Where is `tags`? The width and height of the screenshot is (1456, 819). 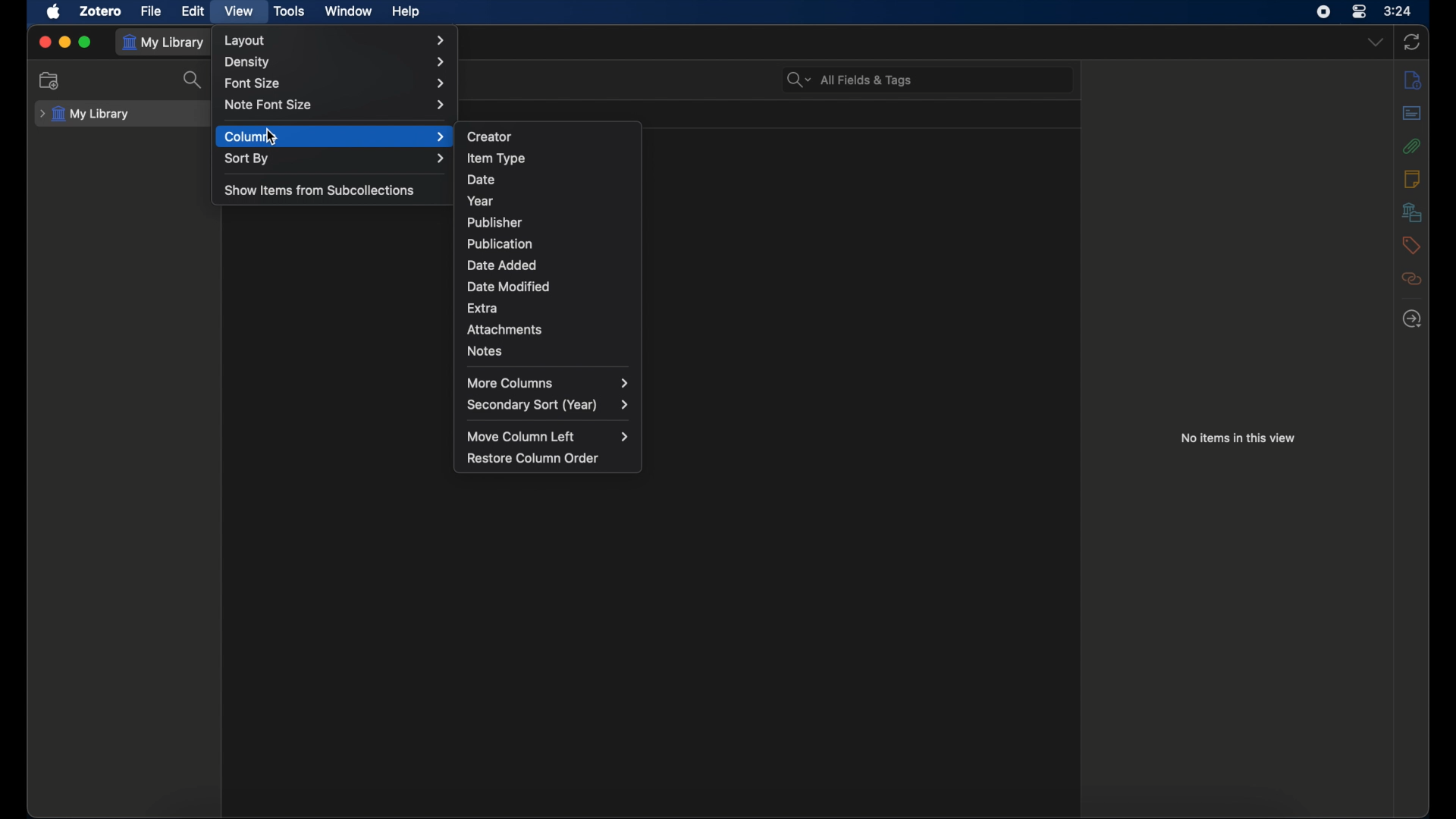 tags is located at coordinates (1410, 245).